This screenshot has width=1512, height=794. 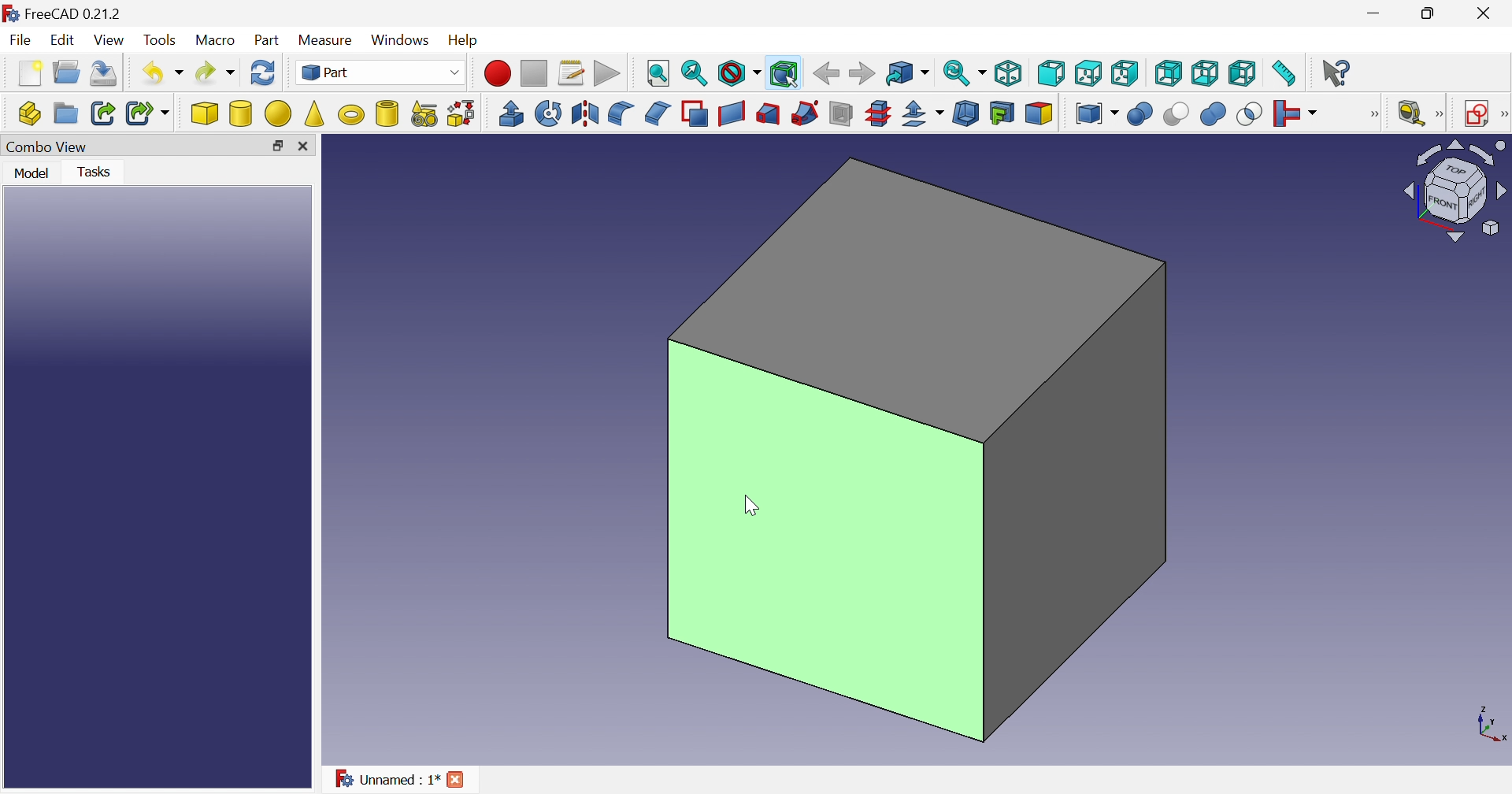 What do you see at coordinates (768, 114) in the screenshot?
I see `Loft...` at bounding box center [768, 114].